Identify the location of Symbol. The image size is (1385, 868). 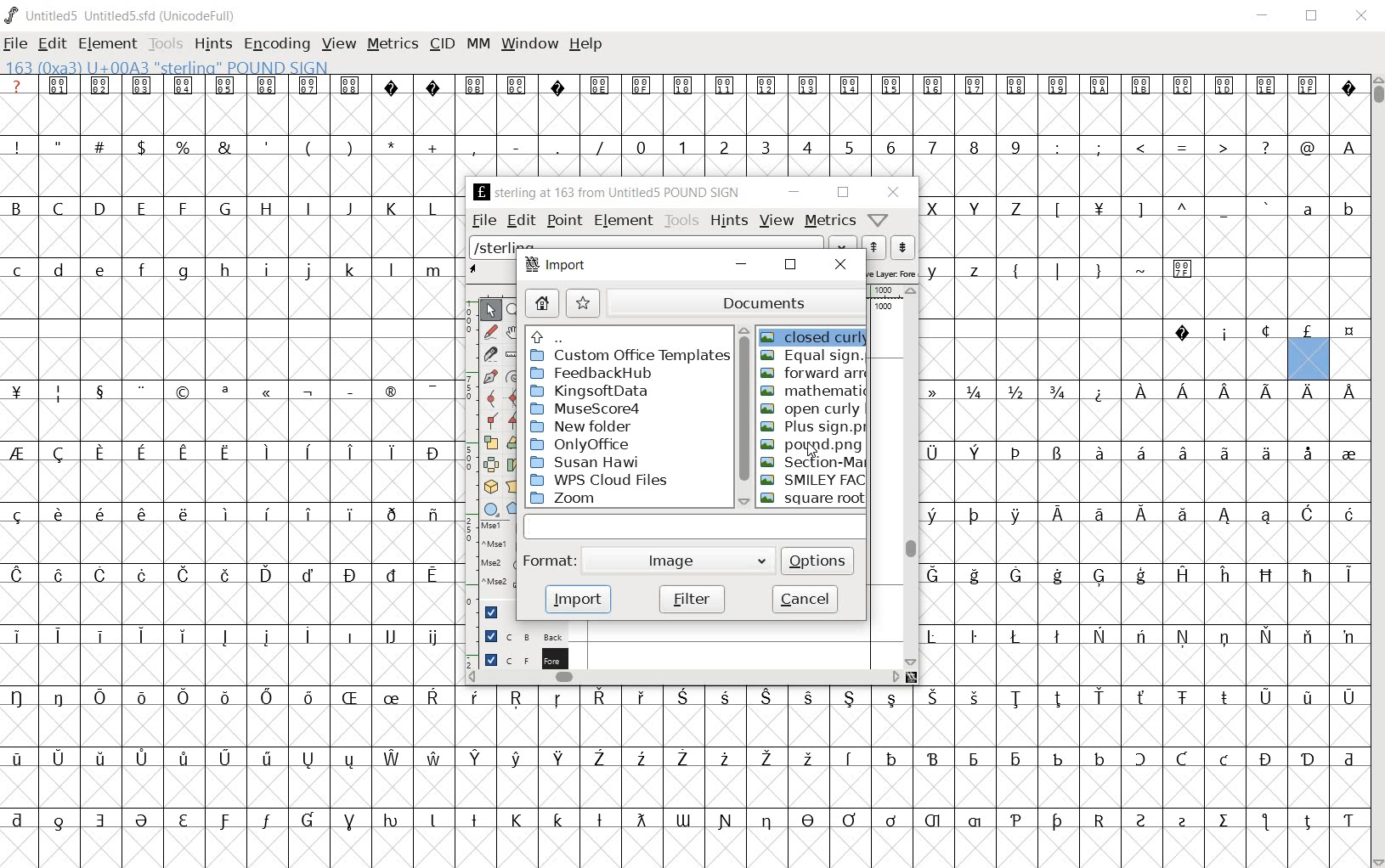
(1057, 516).